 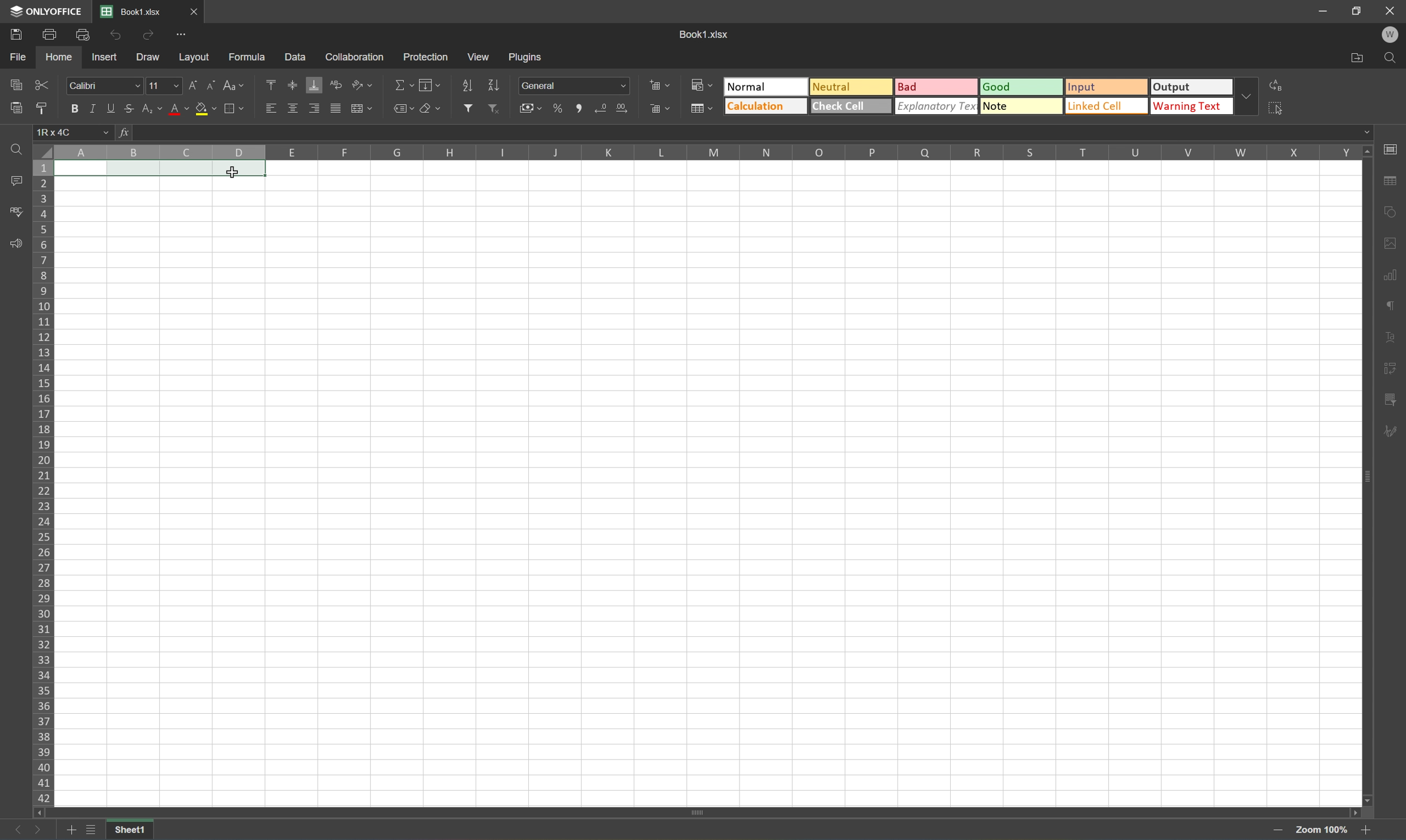 I want to click on Sort ascending, so click(x=468, y=85).